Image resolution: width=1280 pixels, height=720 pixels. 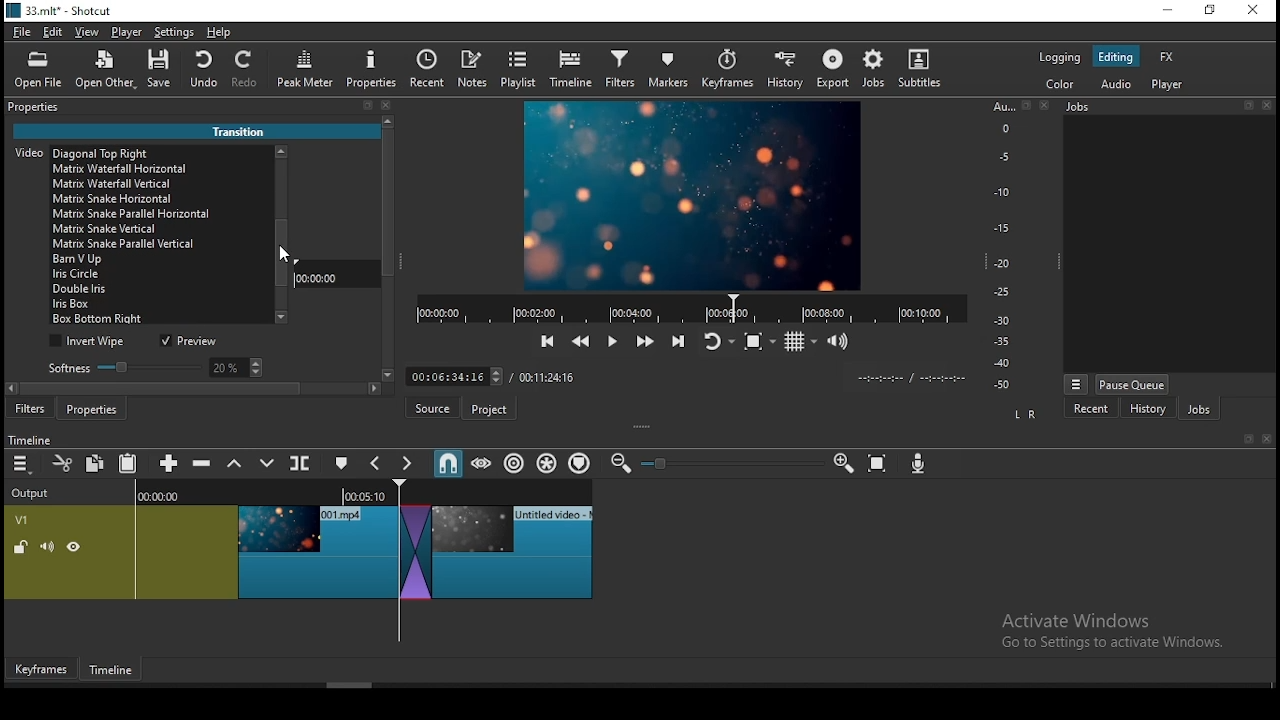 What do you see at coordinates (1024, 416) in the screenshot?
I see `LR` at bounding box center [1024, 416].